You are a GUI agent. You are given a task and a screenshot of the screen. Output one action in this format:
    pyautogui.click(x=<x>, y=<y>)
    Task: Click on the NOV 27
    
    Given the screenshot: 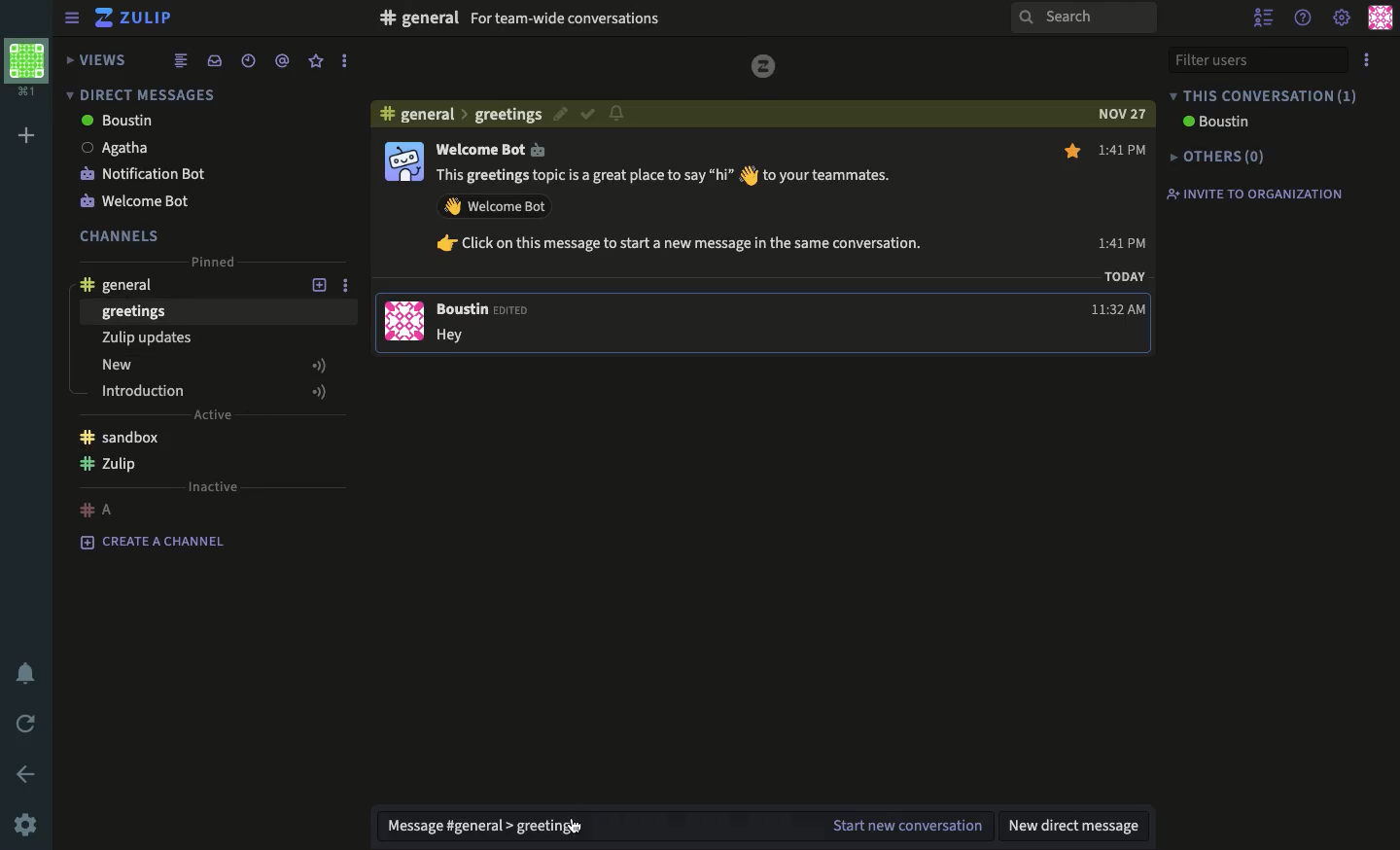 What is the action you would take?
    pyautogui.click(x=1125, y=115)
    